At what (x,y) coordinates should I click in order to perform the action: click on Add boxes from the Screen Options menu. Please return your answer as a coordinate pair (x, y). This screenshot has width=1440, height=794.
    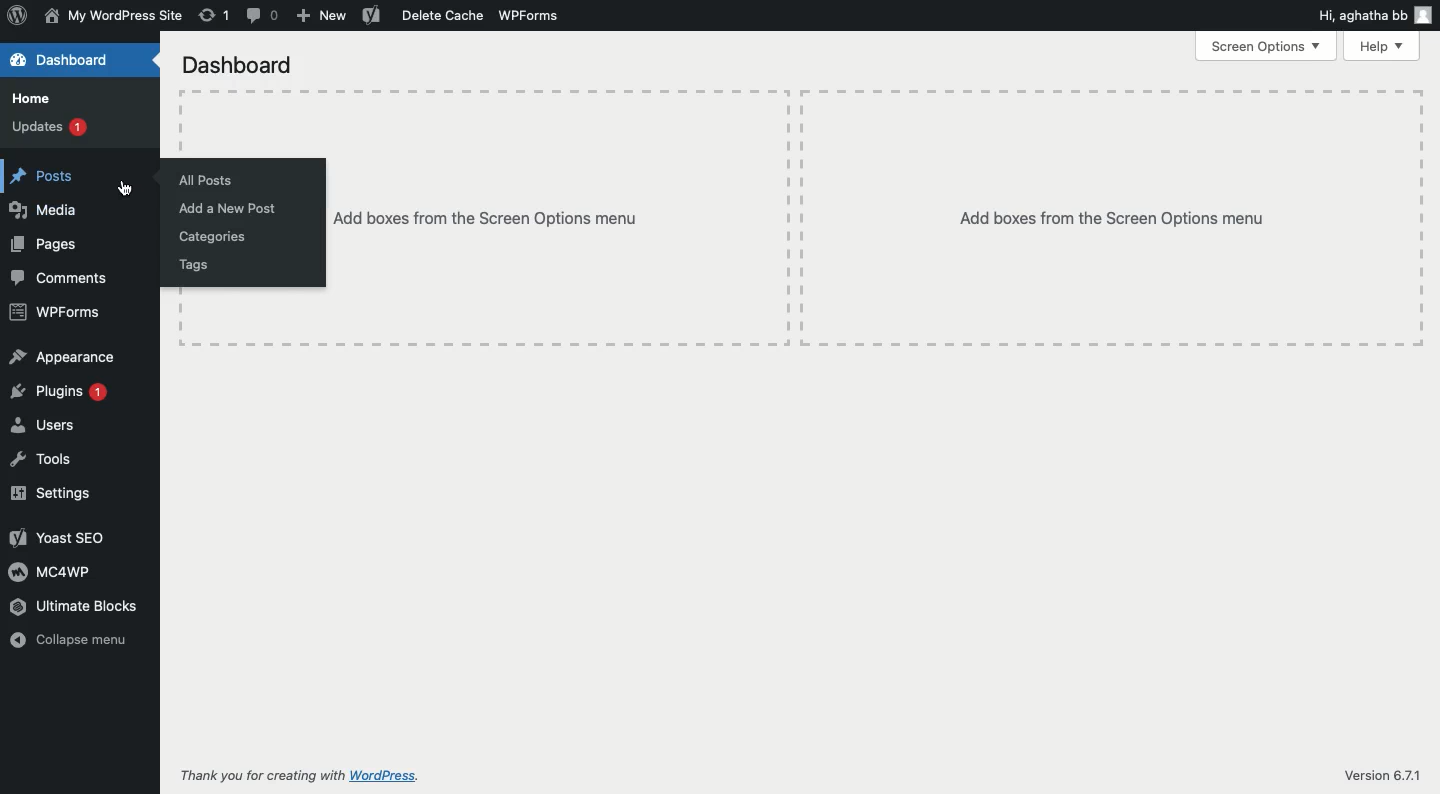
    Looking at the image, I should click on (1119, 206).